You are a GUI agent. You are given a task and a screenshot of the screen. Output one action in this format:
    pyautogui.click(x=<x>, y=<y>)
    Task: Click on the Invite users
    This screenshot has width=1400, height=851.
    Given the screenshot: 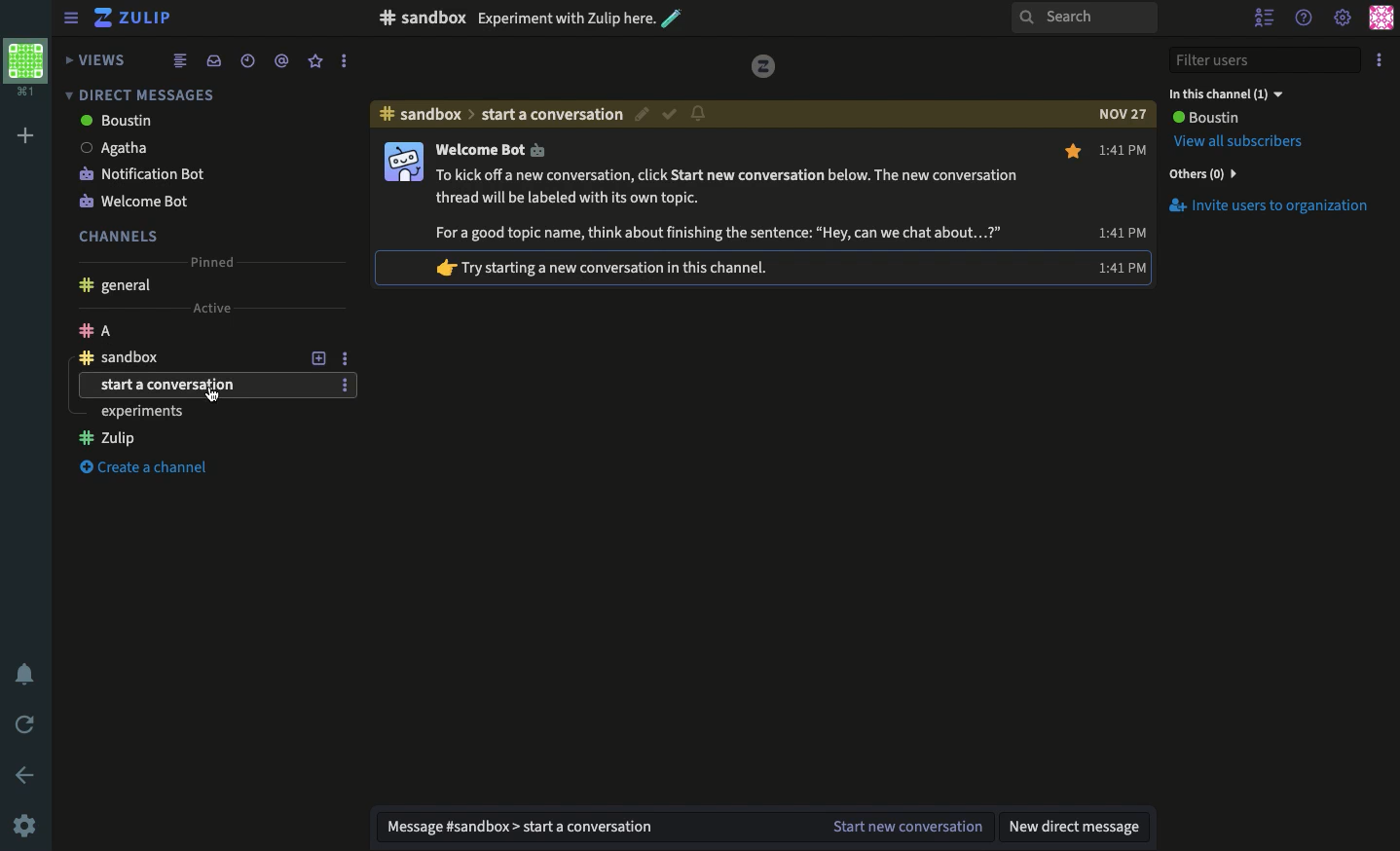 What is the action you would take?
    pyautogui.click(x=1268, y=205)
    